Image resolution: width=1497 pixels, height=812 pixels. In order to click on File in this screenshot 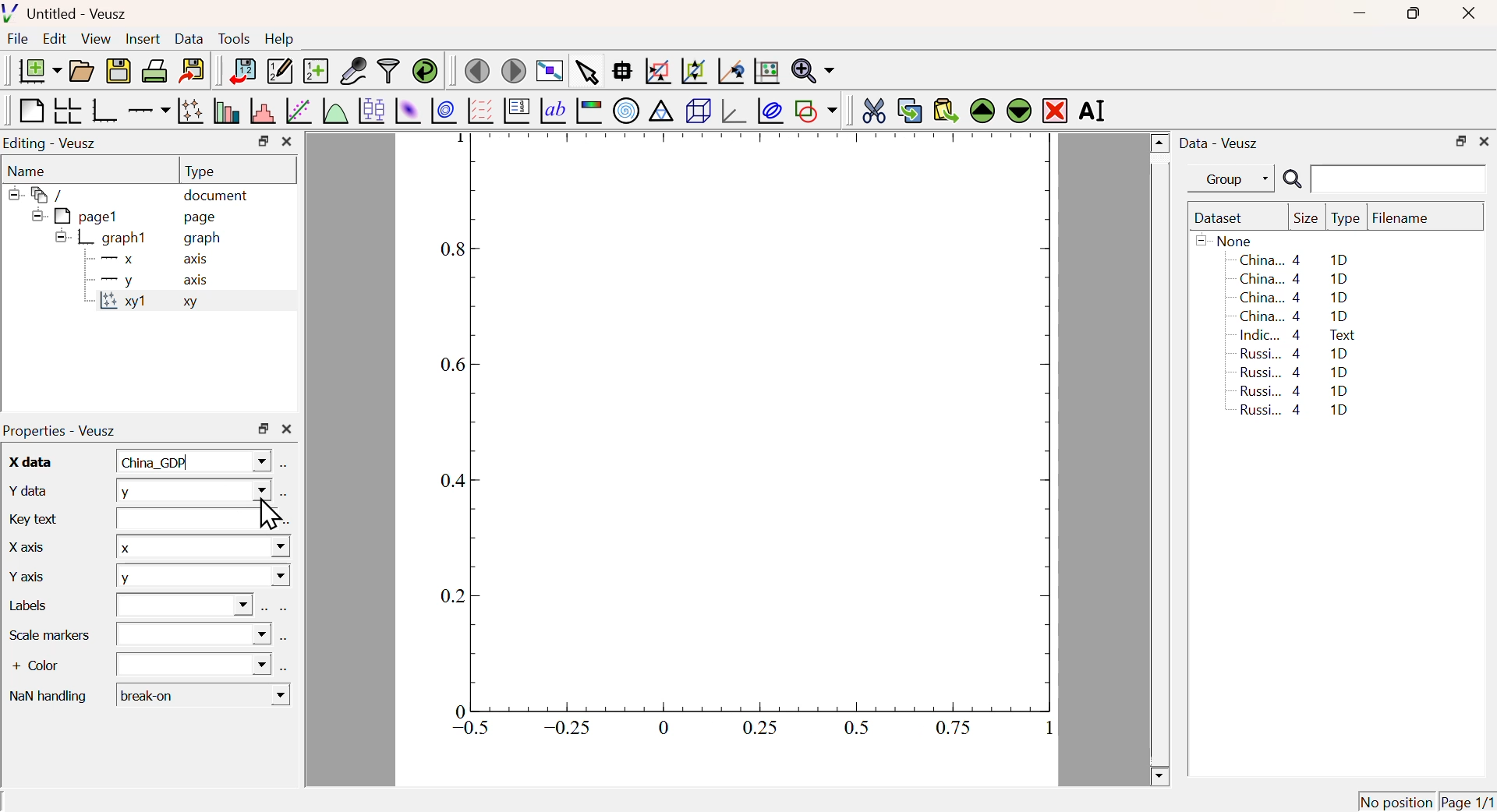, I will do `click(18, 39)`.